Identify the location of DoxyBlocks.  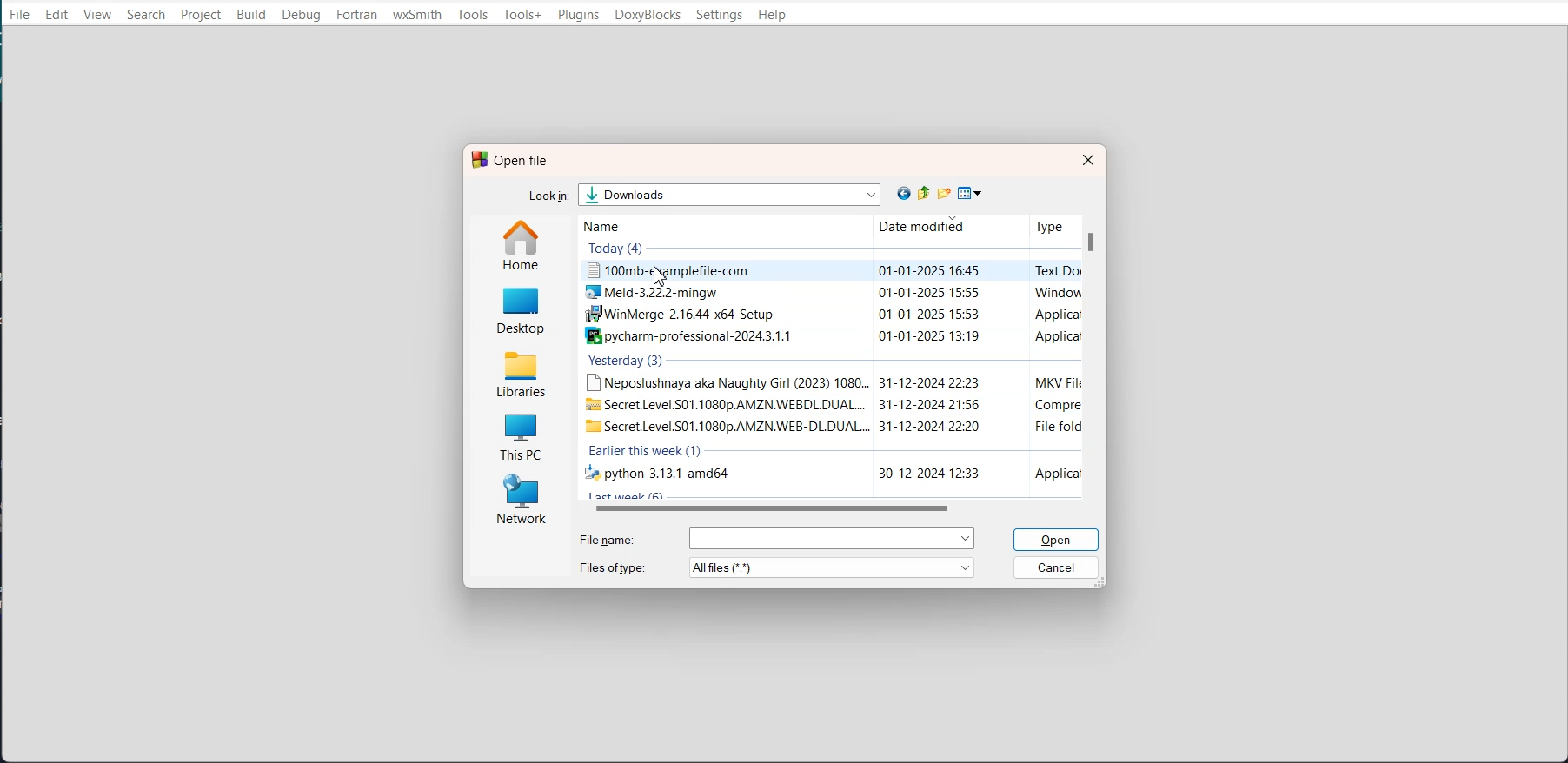
(648, 15).